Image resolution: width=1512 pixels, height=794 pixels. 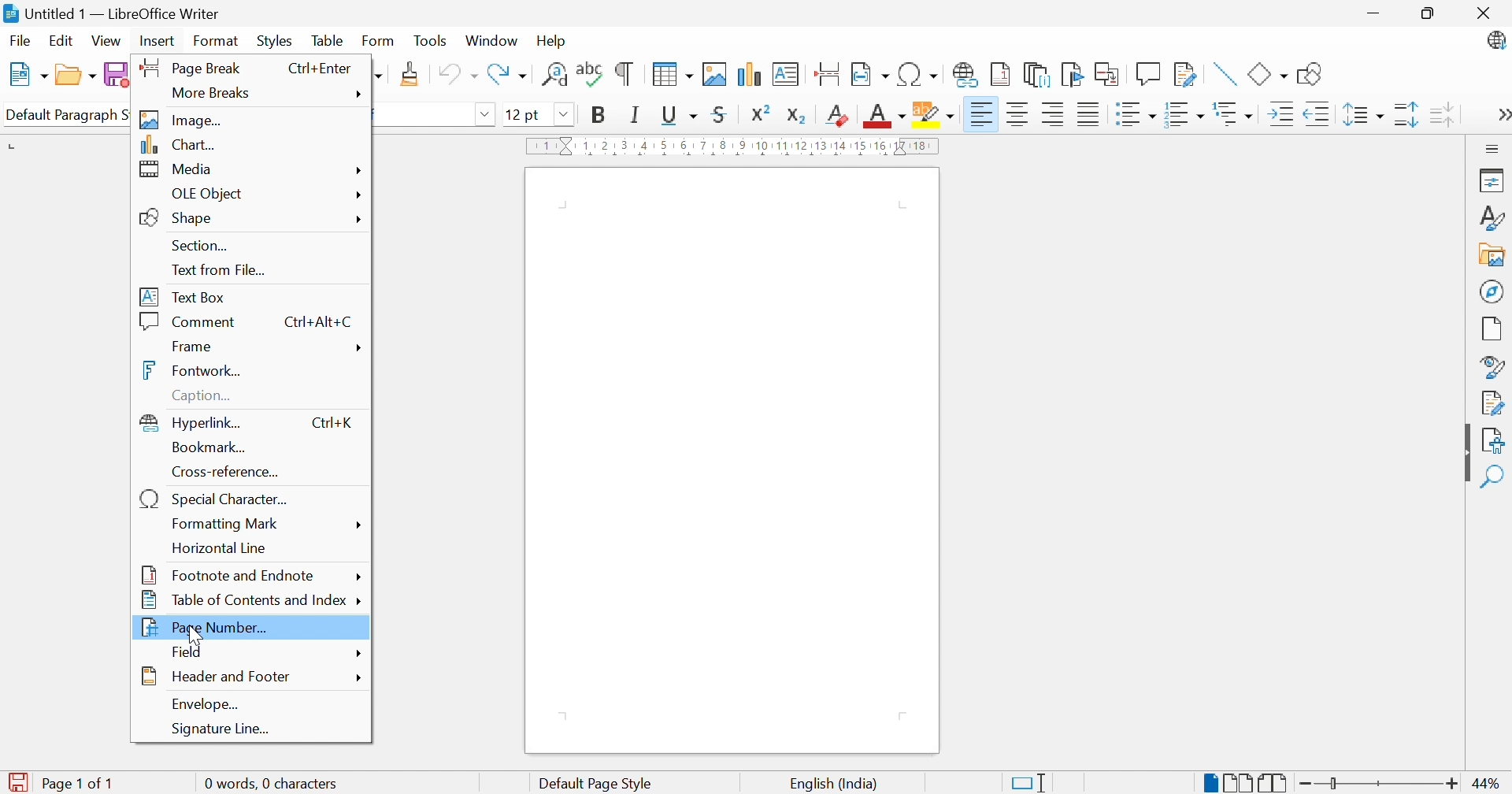 I want to click on Horizontal line, so click(x=220, y=550).